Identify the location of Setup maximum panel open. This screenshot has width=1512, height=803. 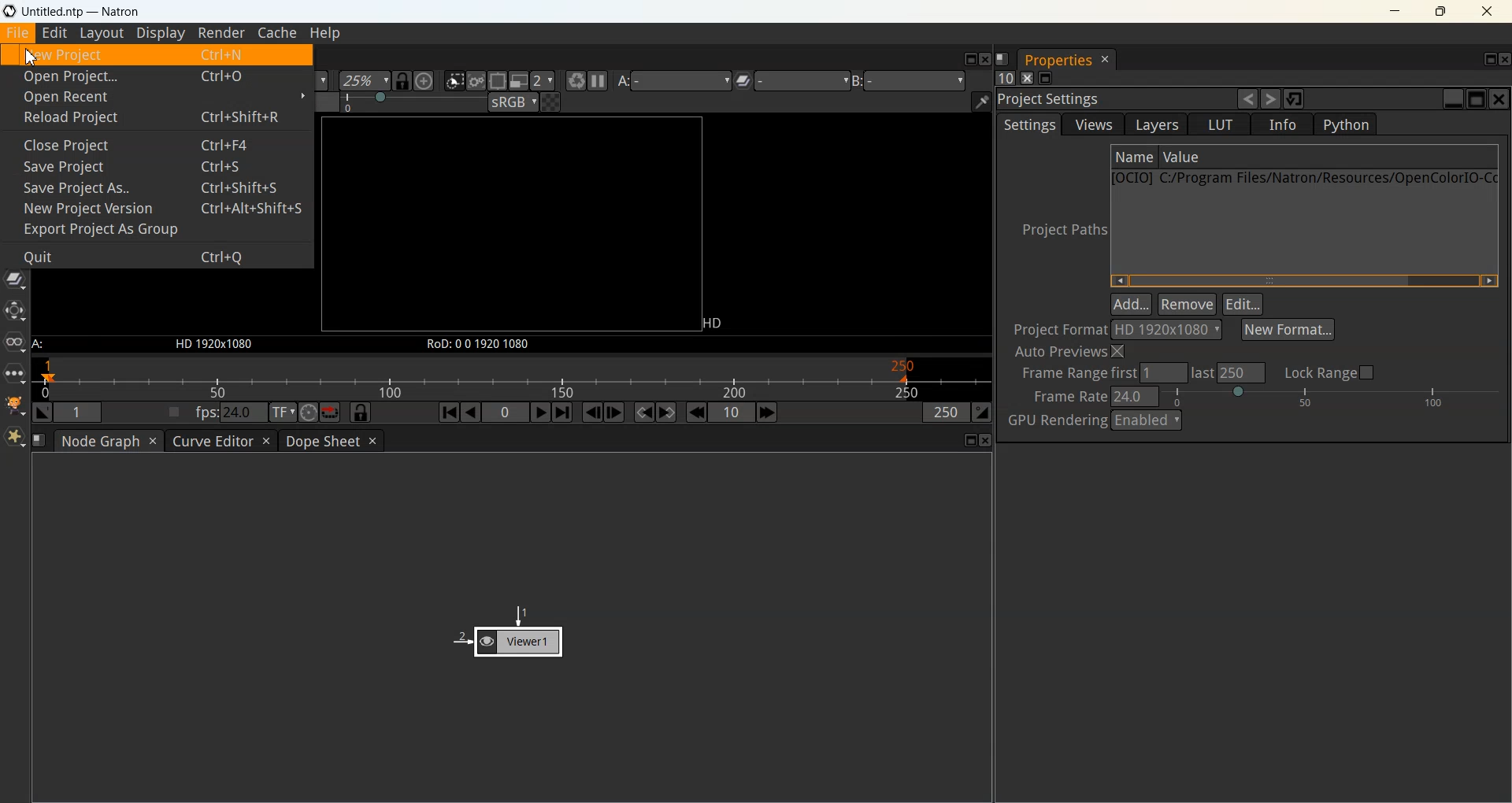
(1004, 77).